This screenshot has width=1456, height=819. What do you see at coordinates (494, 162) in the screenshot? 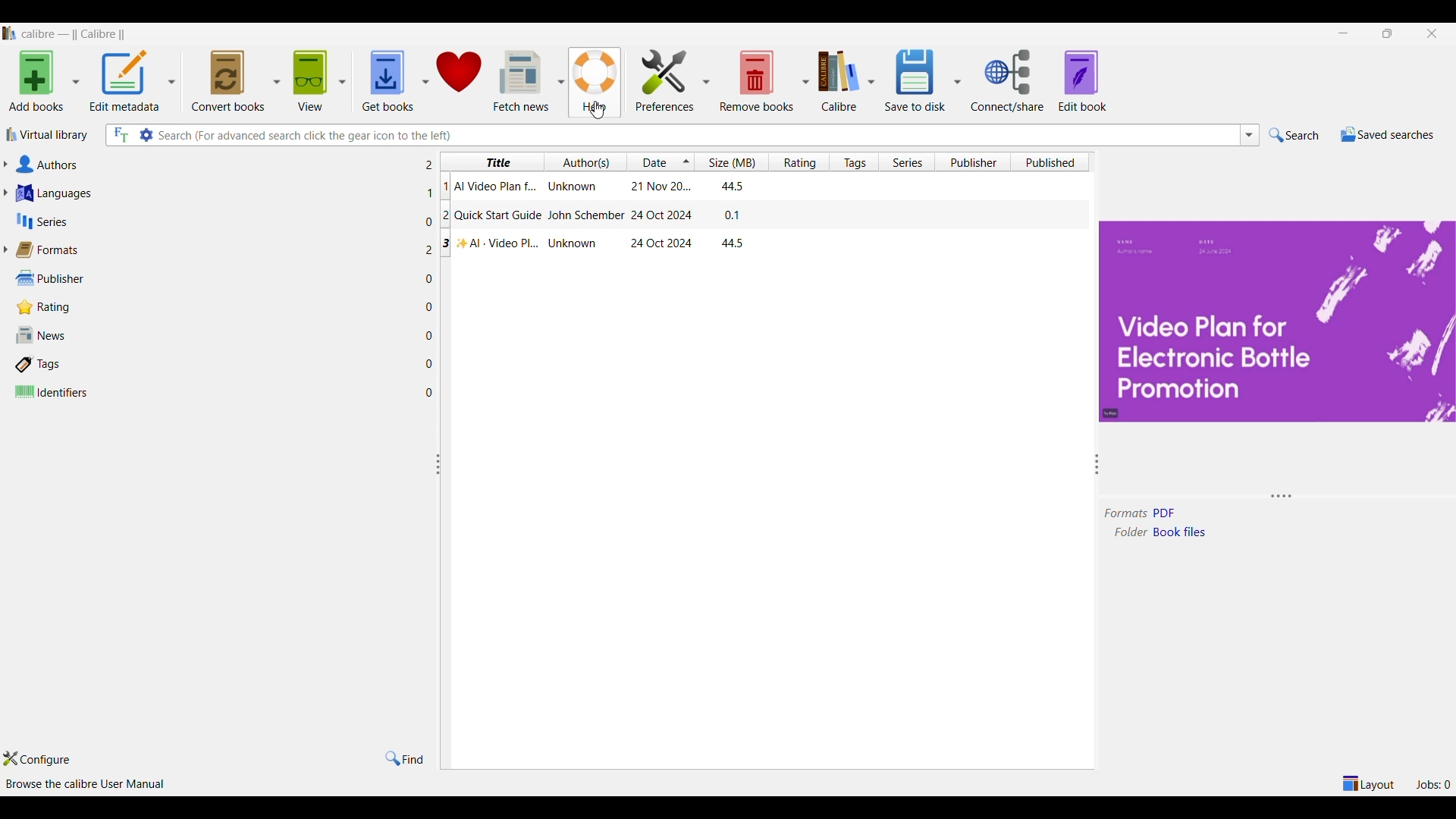
I see `Title column` at bounding box center [494, 162].